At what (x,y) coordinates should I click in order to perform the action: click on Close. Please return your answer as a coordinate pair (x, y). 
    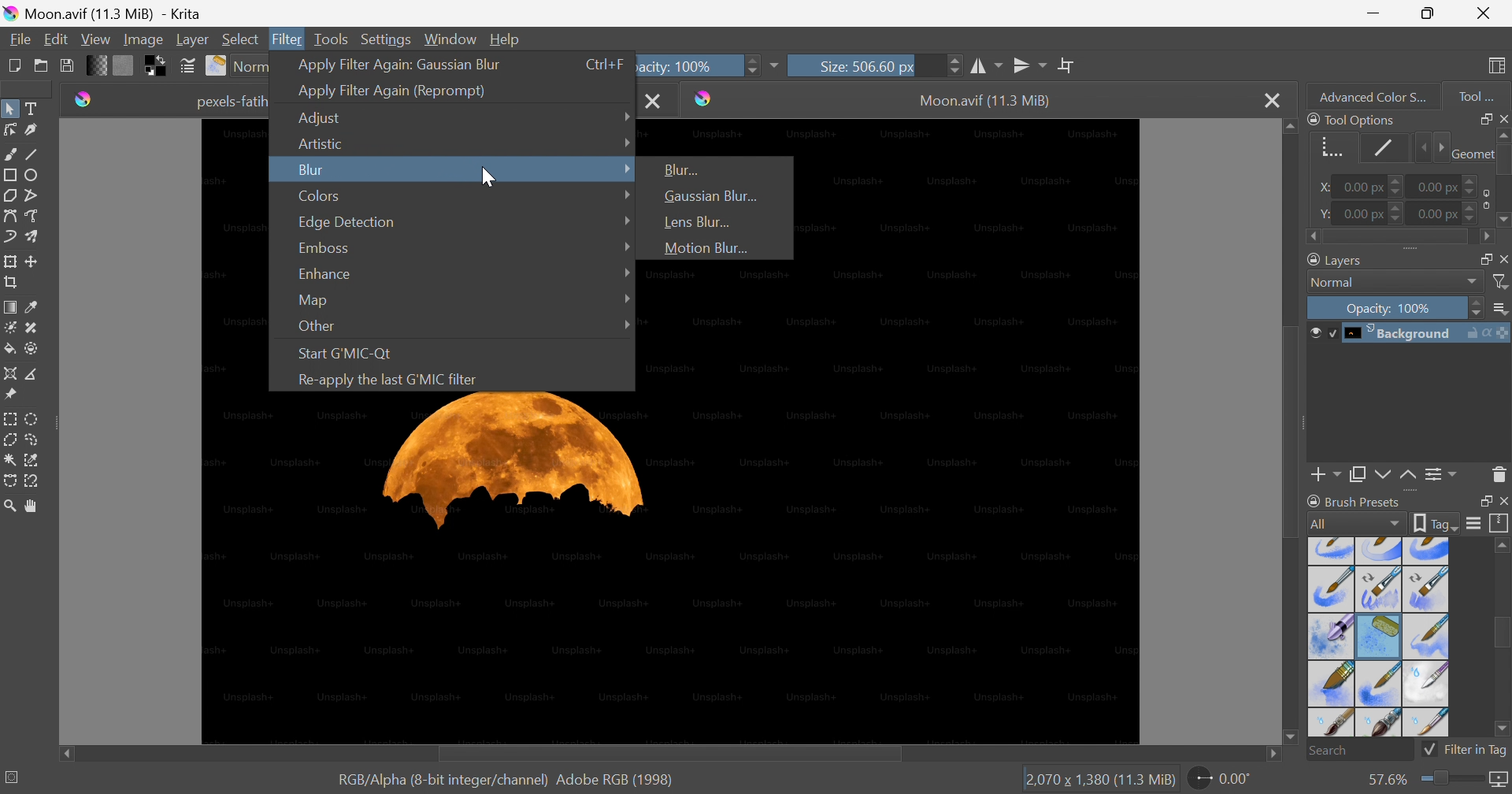
    Looking at the image, I should click on (1487, 11).